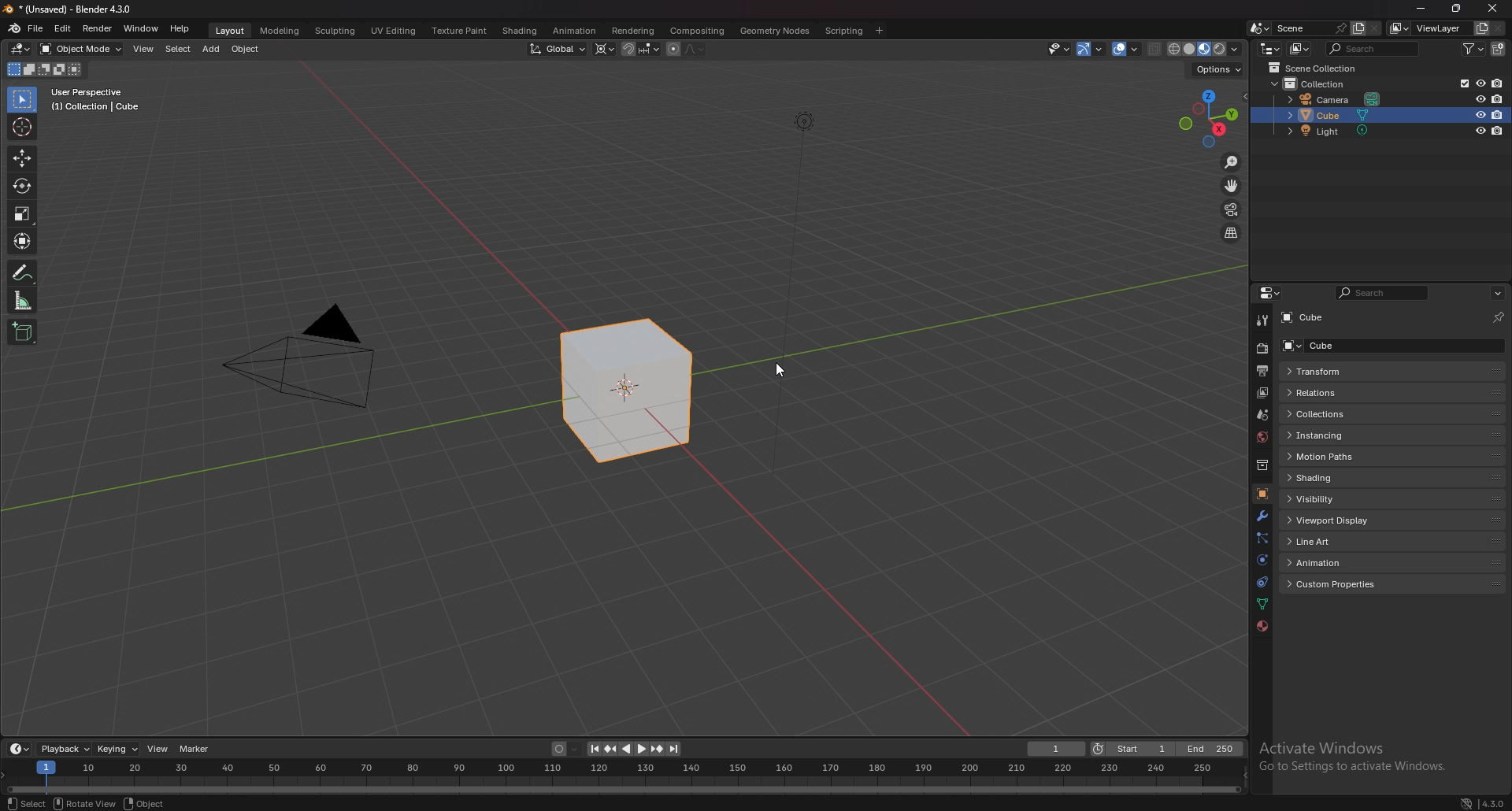  Describe the element at coordinates (656, 748) in the screenshot. I see `jump to keyframe` at that location.